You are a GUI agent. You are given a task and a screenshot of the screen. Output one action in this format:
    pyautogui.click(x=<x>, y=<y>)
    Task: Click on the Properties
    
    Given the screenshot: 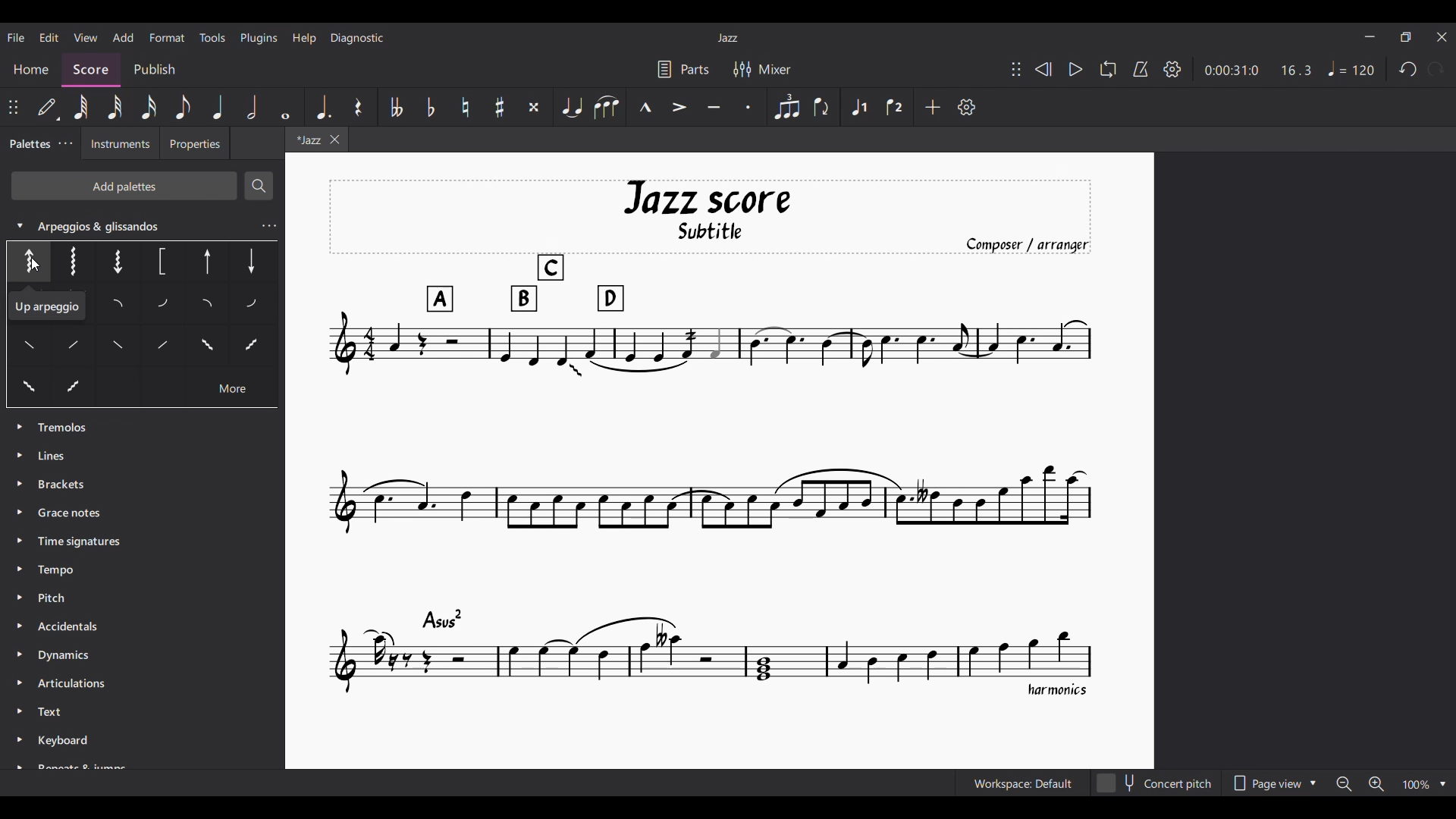 What is the action you would take?
    pyautogui.click(x=196, y=143)
    